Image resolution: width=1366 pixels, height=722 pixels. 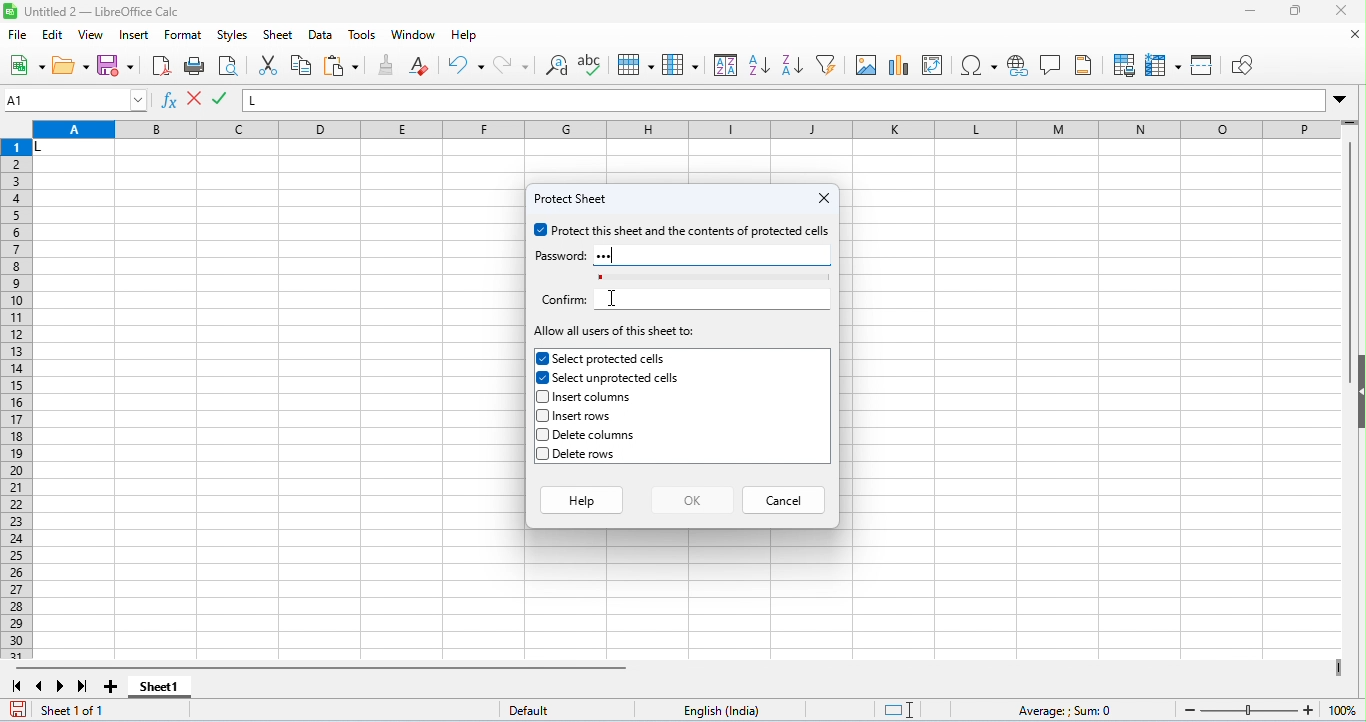 What do you see at coordinates (581, 455) in the screenshot?
I see `delete rows` at bounding box center [581, 455].